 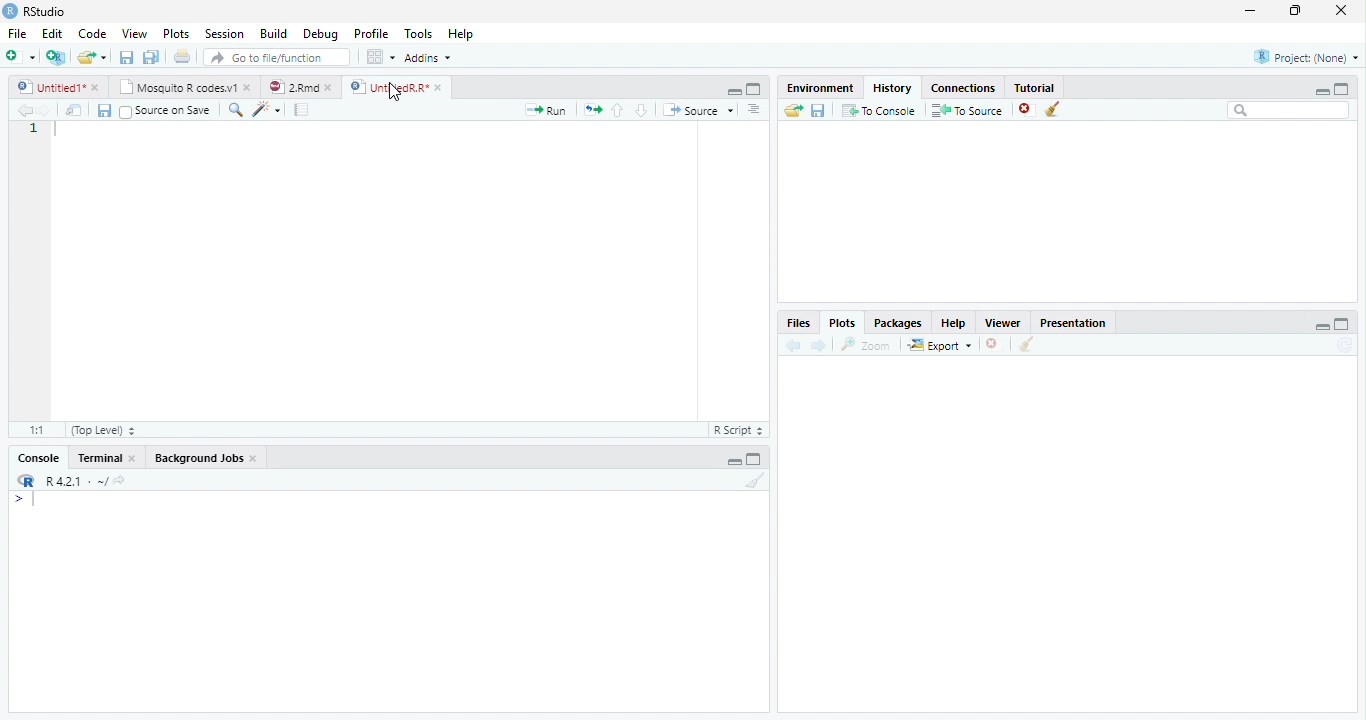 What do you see at coordinates (1343, 324) in the screenshot?
I see `maximize` at bounding box center [1343, 324].